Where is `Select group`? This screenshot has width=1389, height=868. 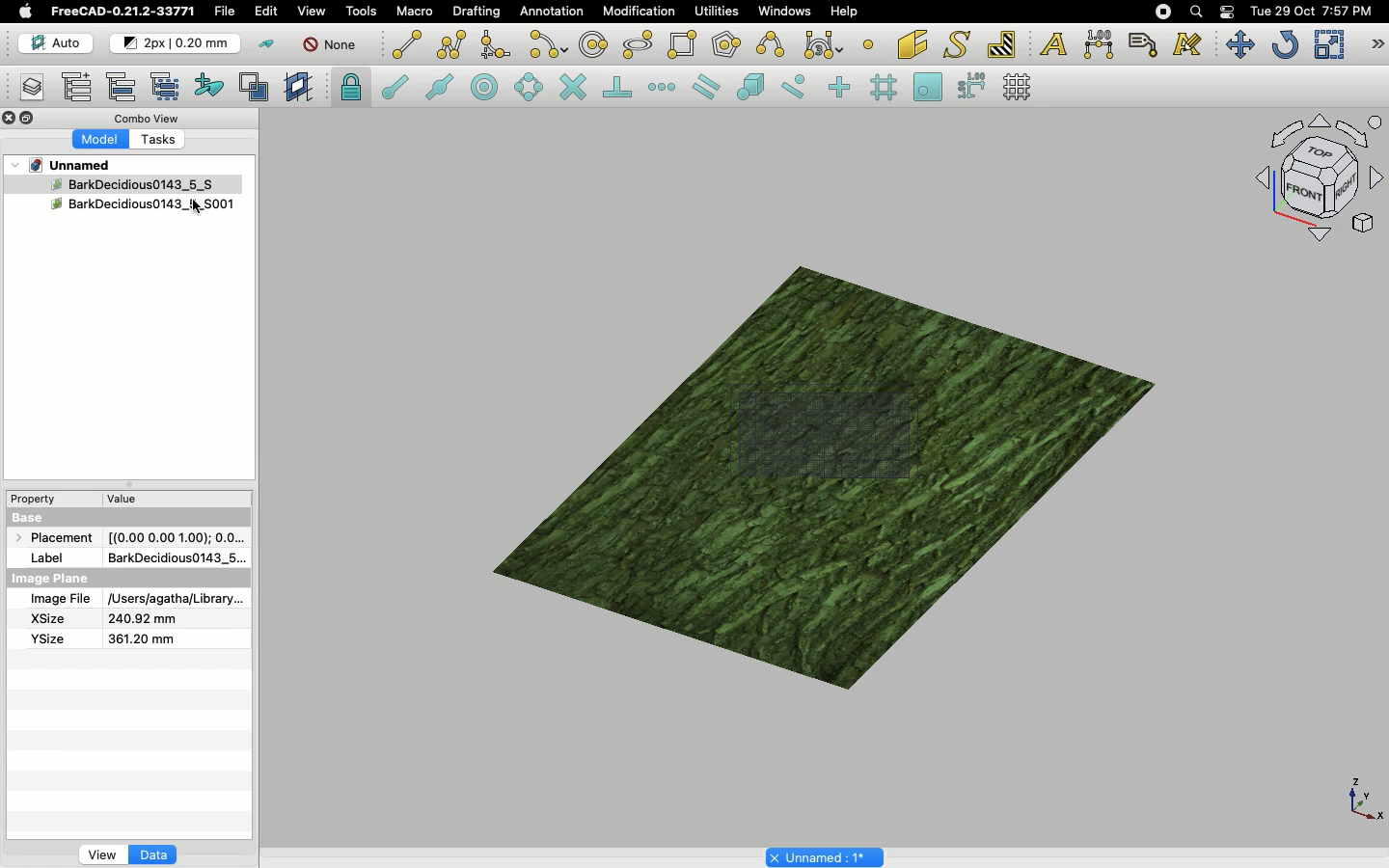 Select group is located at coordinates (167, 85).